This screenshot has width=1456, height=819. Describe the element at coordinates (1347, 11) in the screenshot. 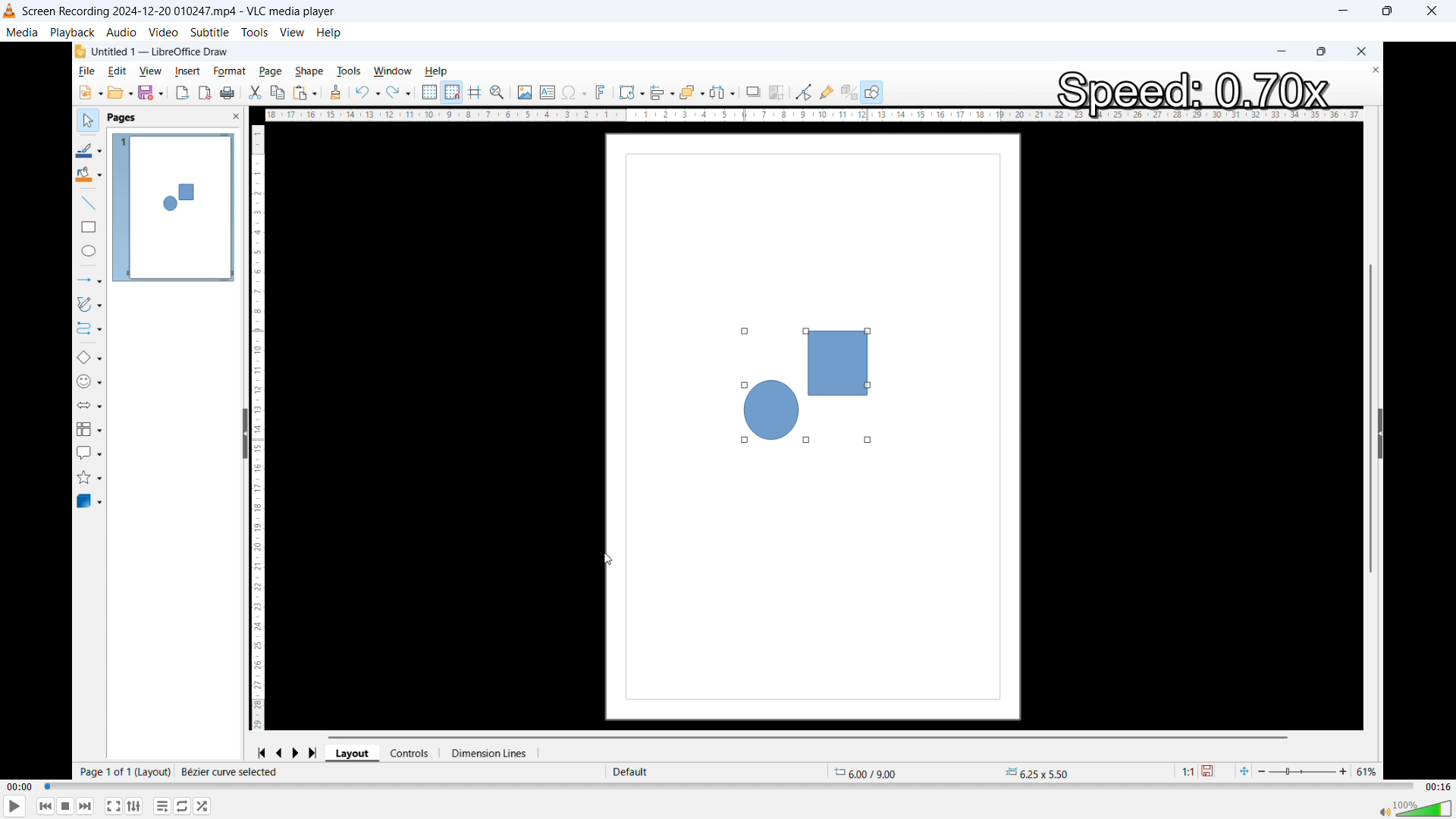

I see `minimise ` at that location.